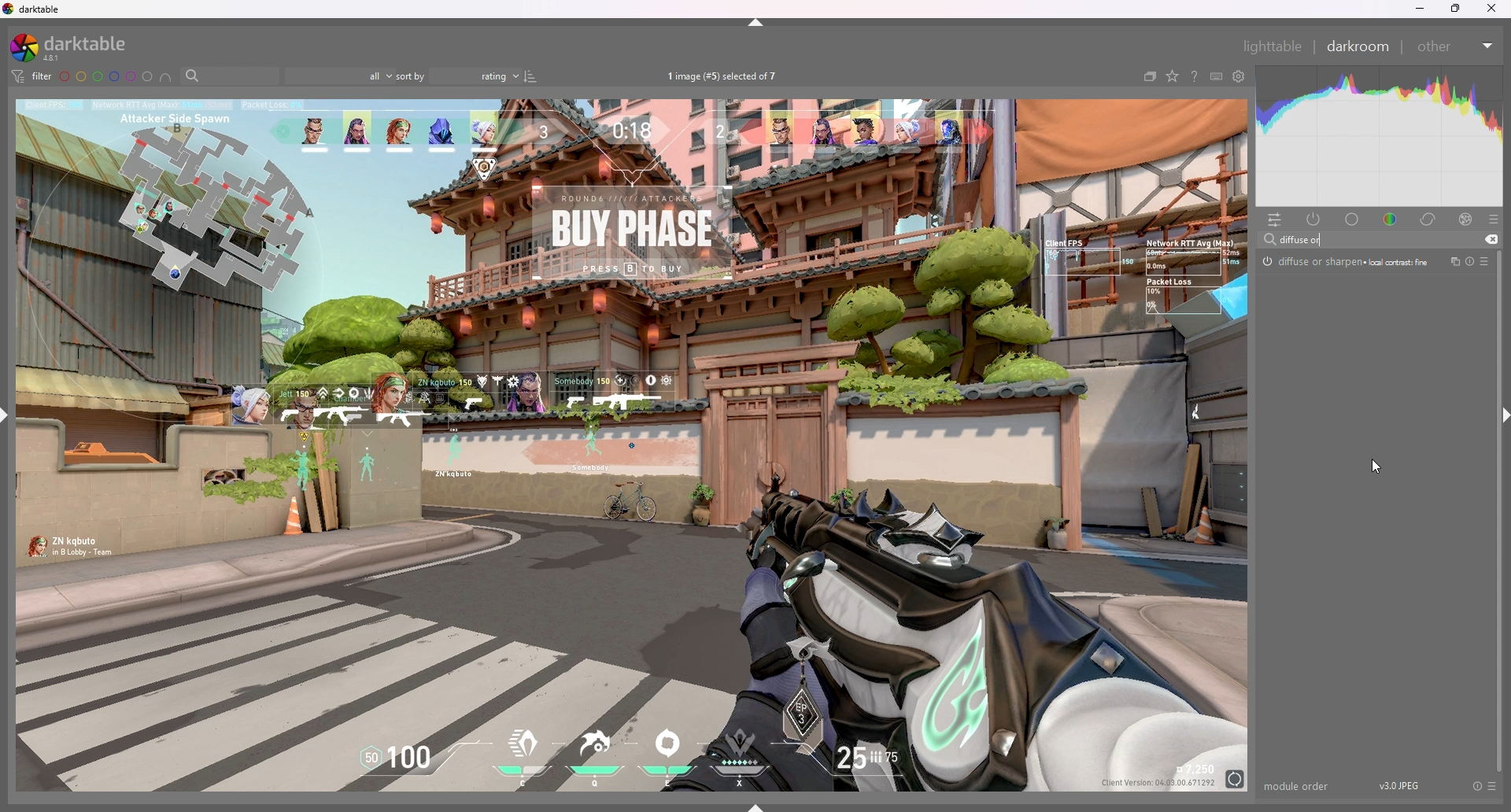 This screenshot has height=812, width=1511. I want to click on minimize, so click(1422, 9).